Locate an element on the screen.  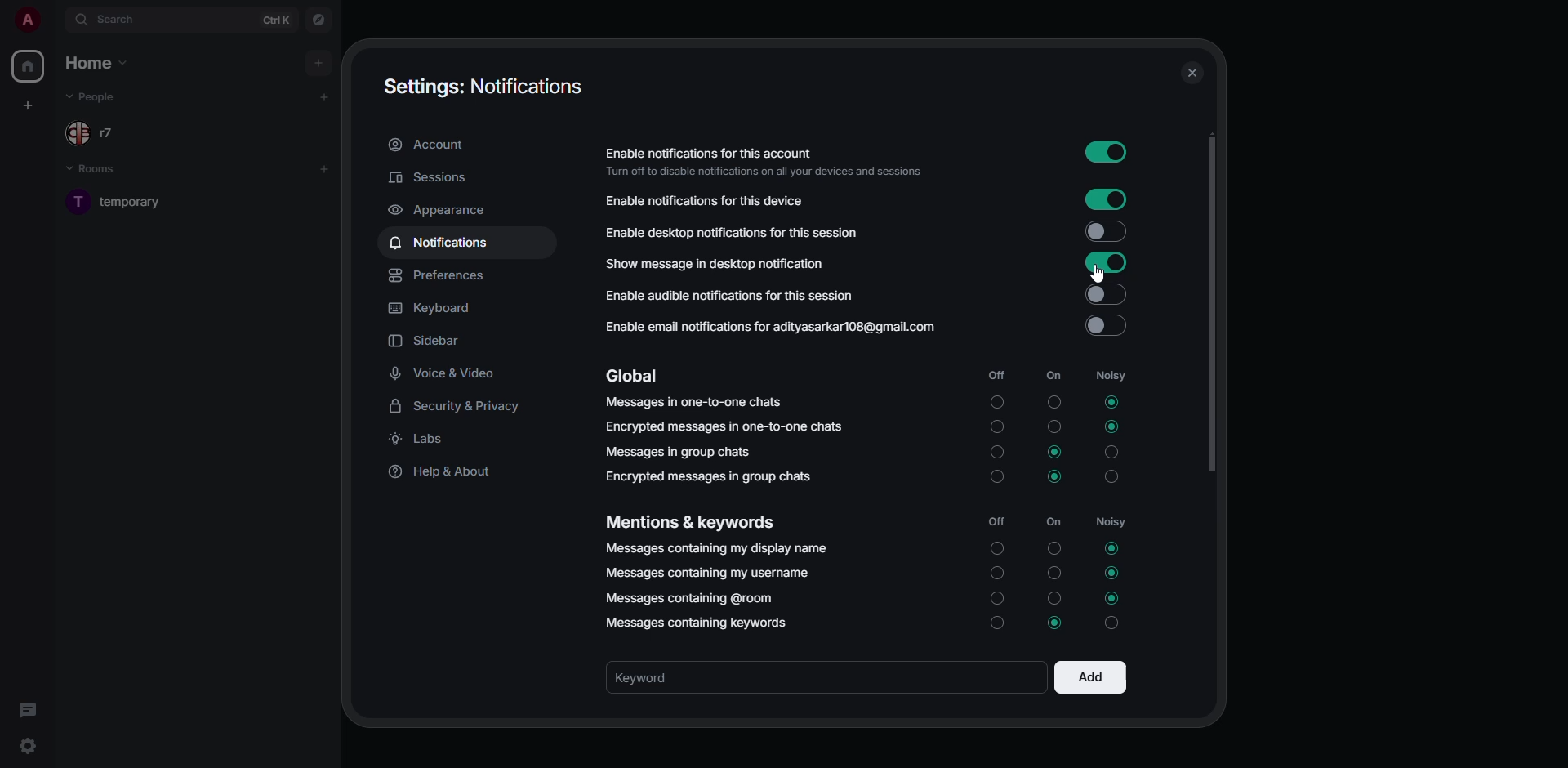
notifications is located at coordinates (439, 243).